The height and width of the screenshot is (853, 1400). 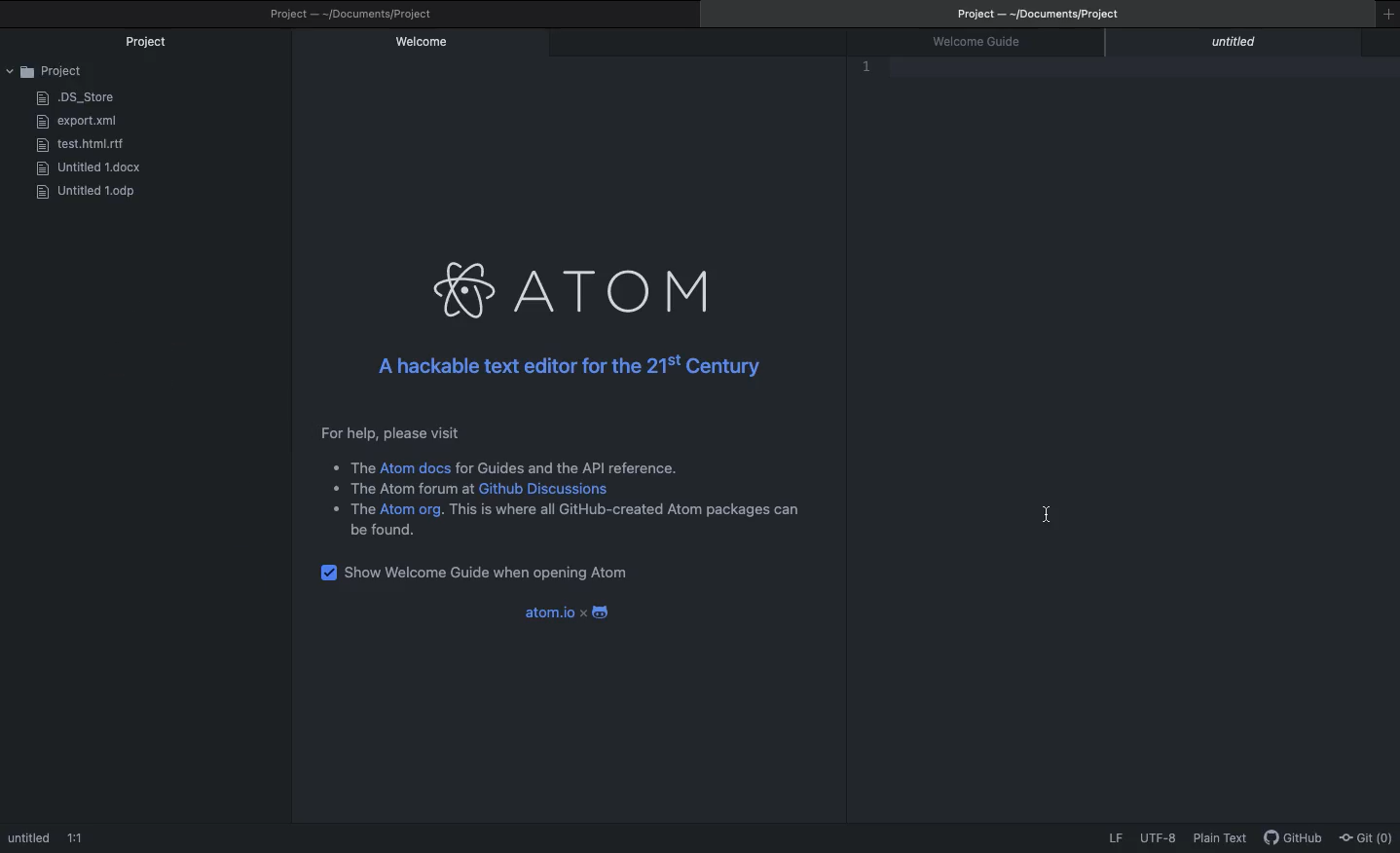 What do you see at coordinates (29, 836) in the screenshot?
I see `Untitled` at bounding box center [29, 836].